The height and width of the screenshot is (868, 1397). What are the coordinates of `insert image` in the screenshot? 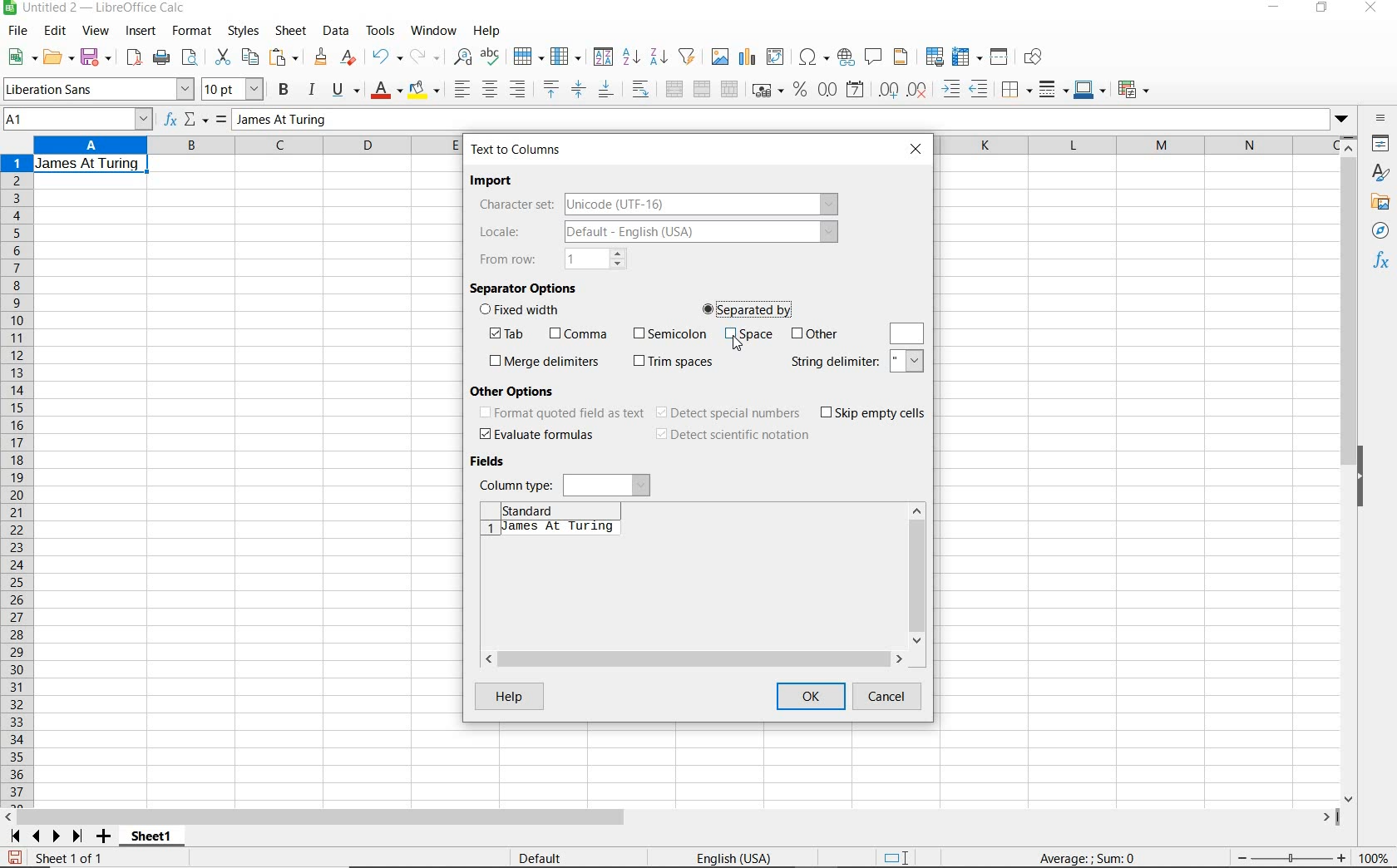 It's located at (721, 57).